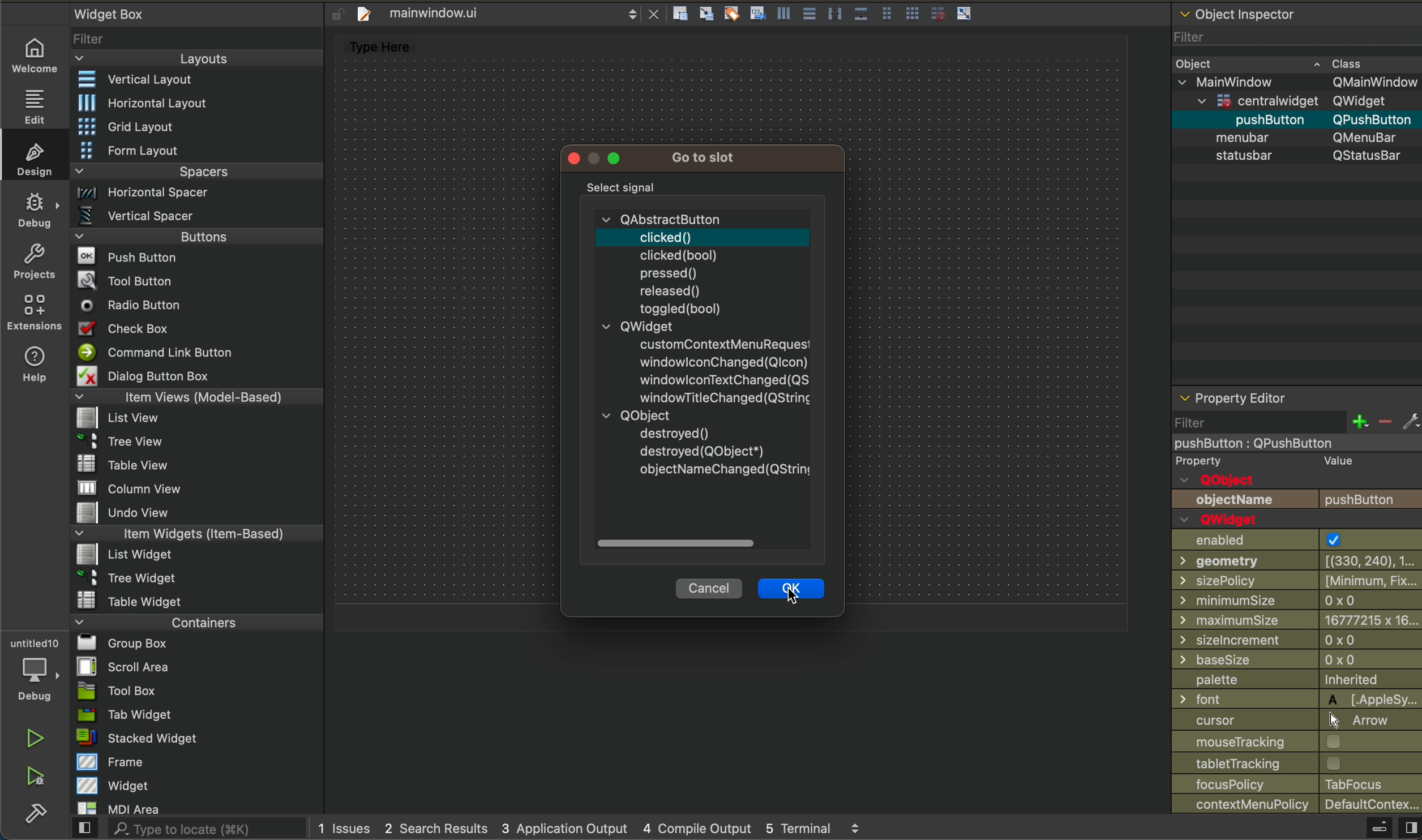 The width and height of the screenshot is (1422, 840). I want to click on tree, so click(195, 578).